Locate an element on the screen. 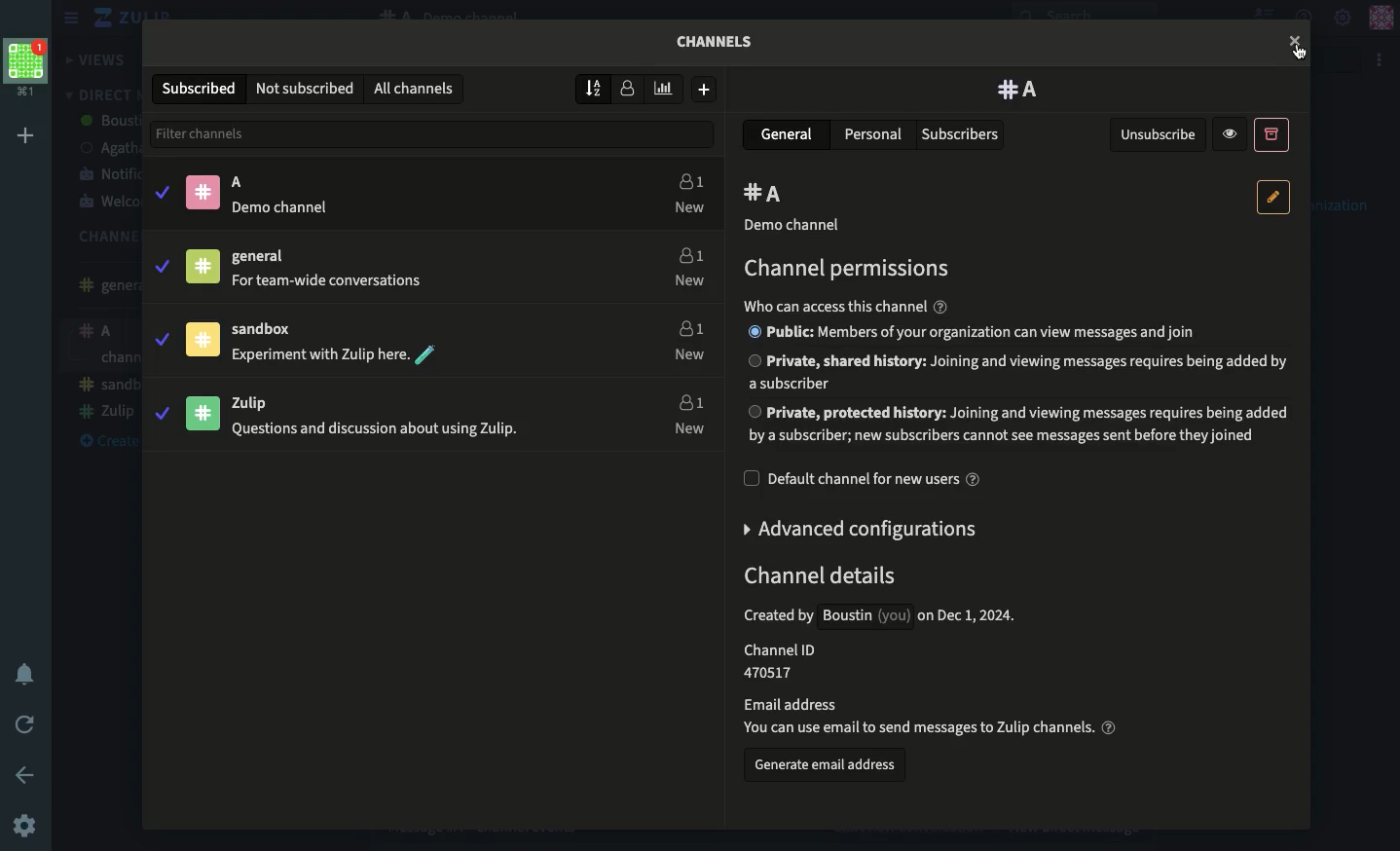 The height and width of the screenshot is (851, 1400). Sort by users is located at coordinates (628, 87).